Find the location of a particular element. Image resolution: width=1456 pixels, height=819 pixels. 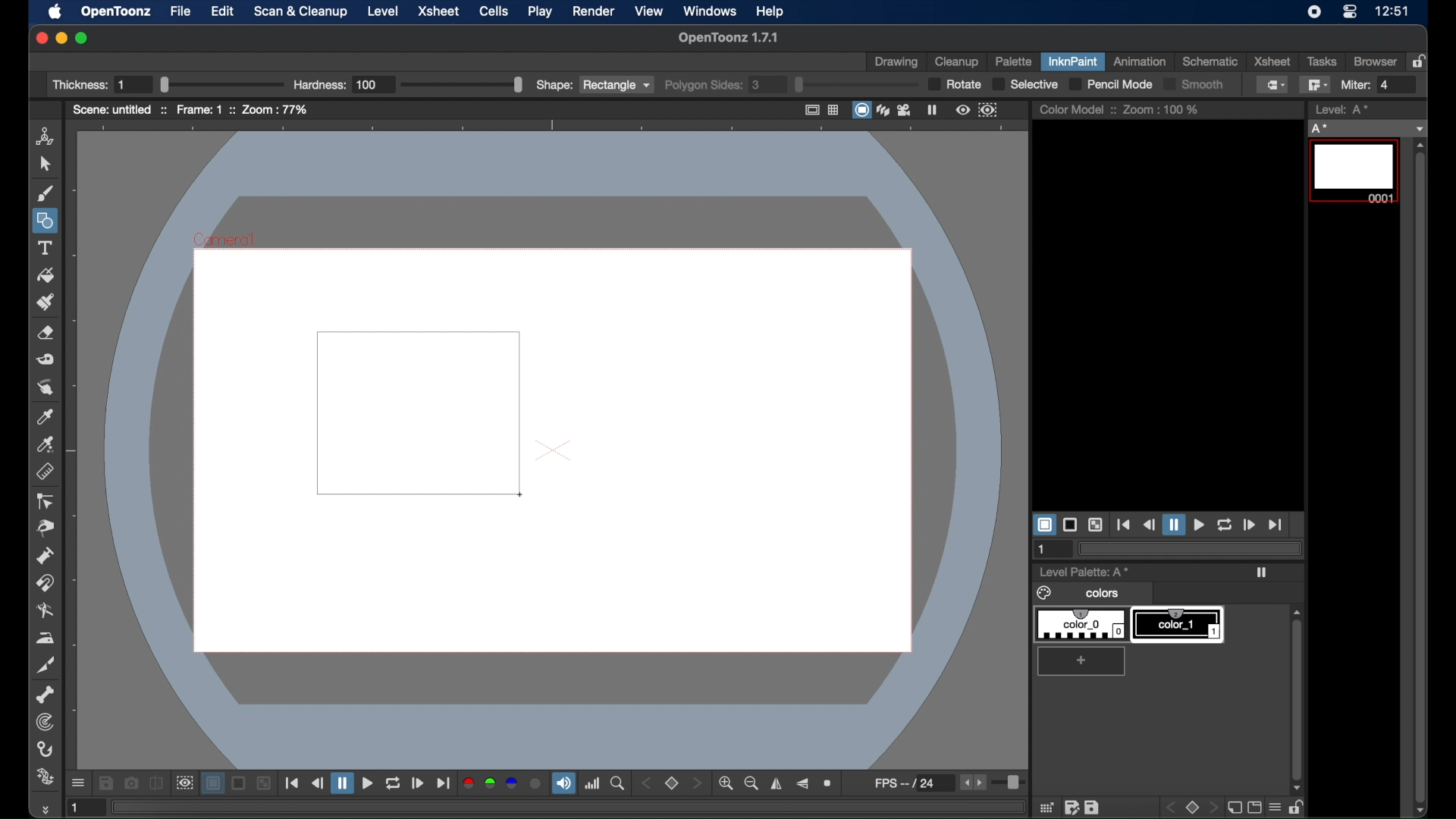

render is located at coordinates (593, 11).